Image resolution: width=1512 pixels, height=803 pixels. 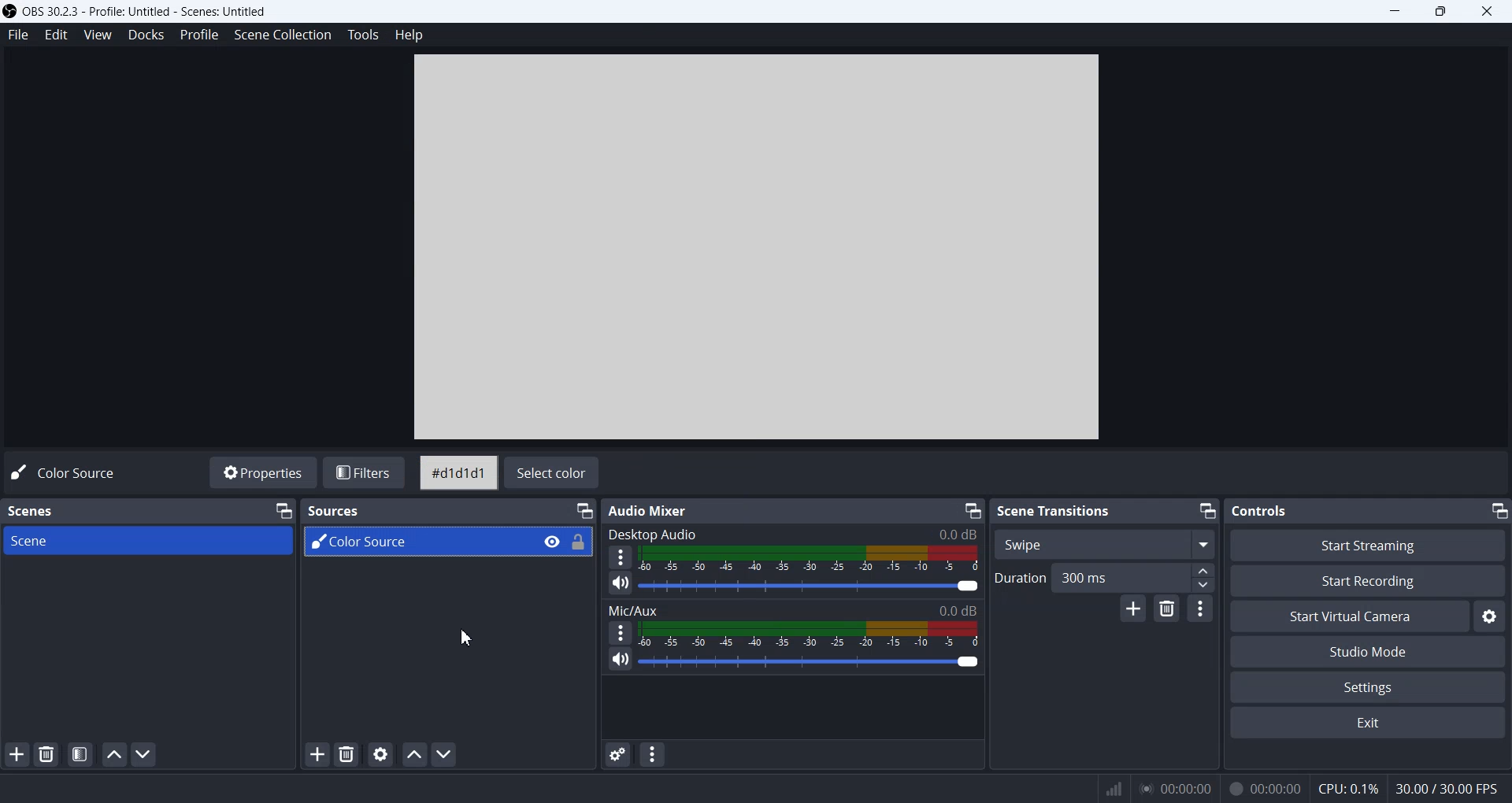 What do you see at coordinates (413, 754) in the screenshot?
I see `Move source Up` at bounding box center [413, 754].